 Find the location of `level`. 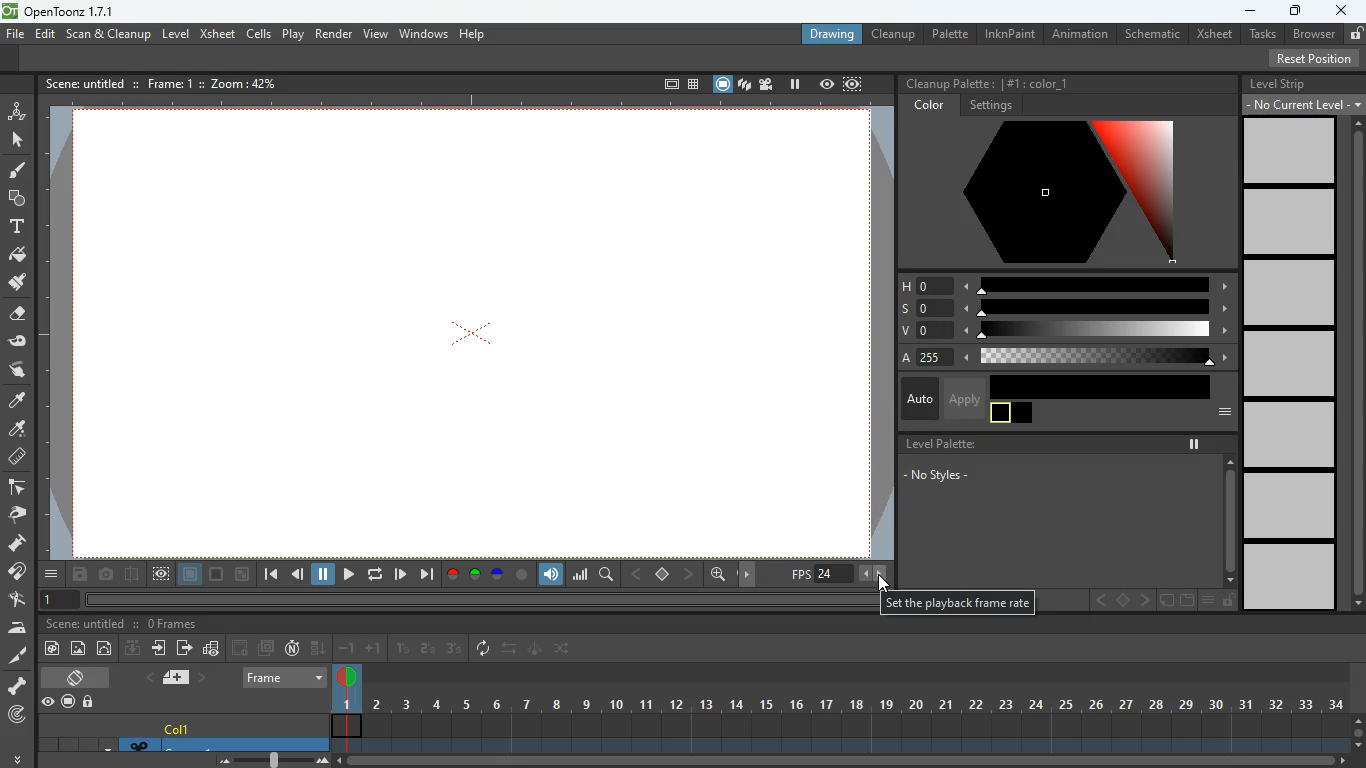

level is located at coordinates (1291, 222).